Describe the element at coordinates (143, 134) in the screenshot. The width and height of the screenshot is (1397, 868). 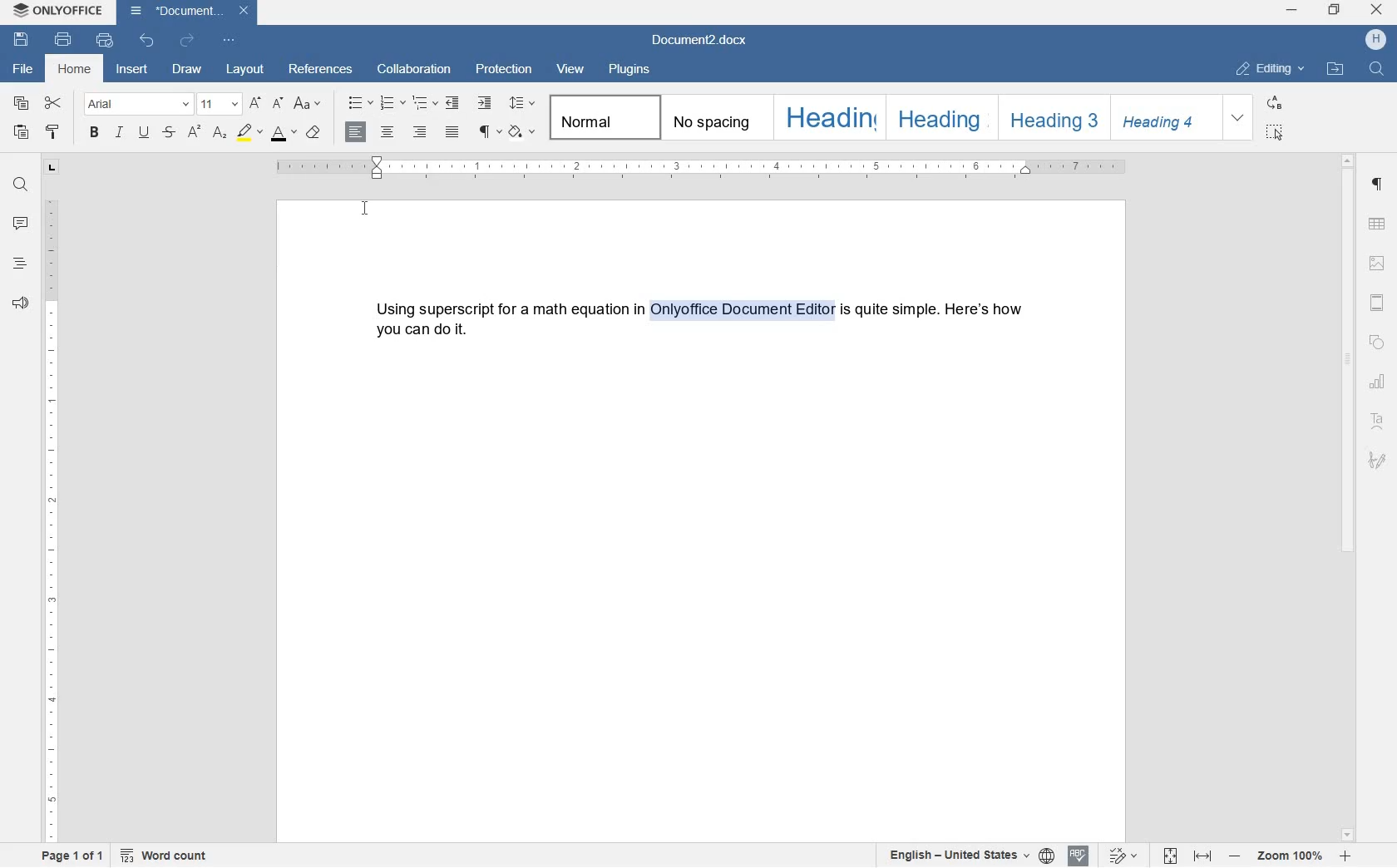
I see `underline` at that location.